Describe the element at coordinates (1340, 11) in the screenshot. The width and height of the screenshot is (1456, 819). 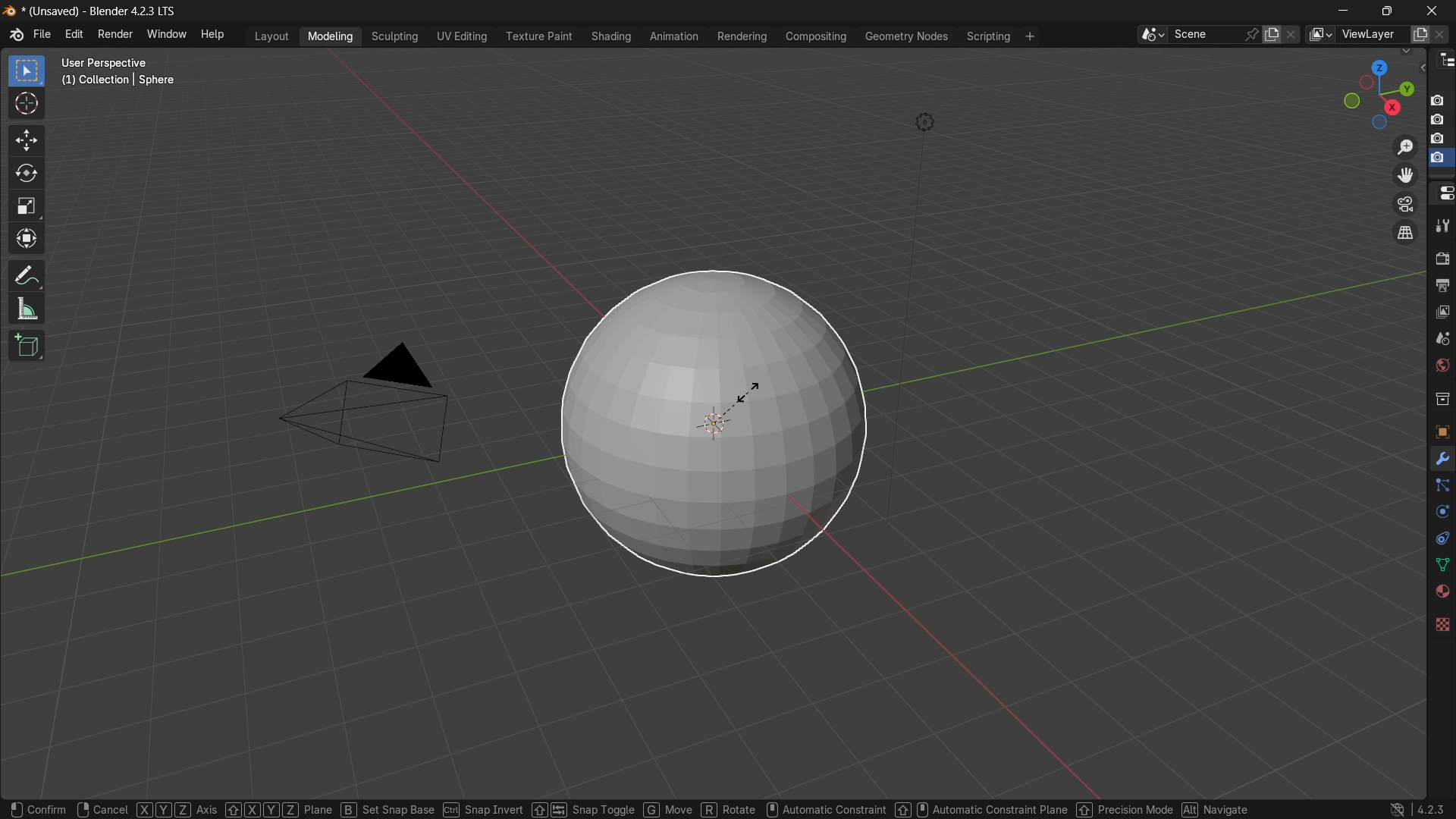
I see `minimize` at that location.